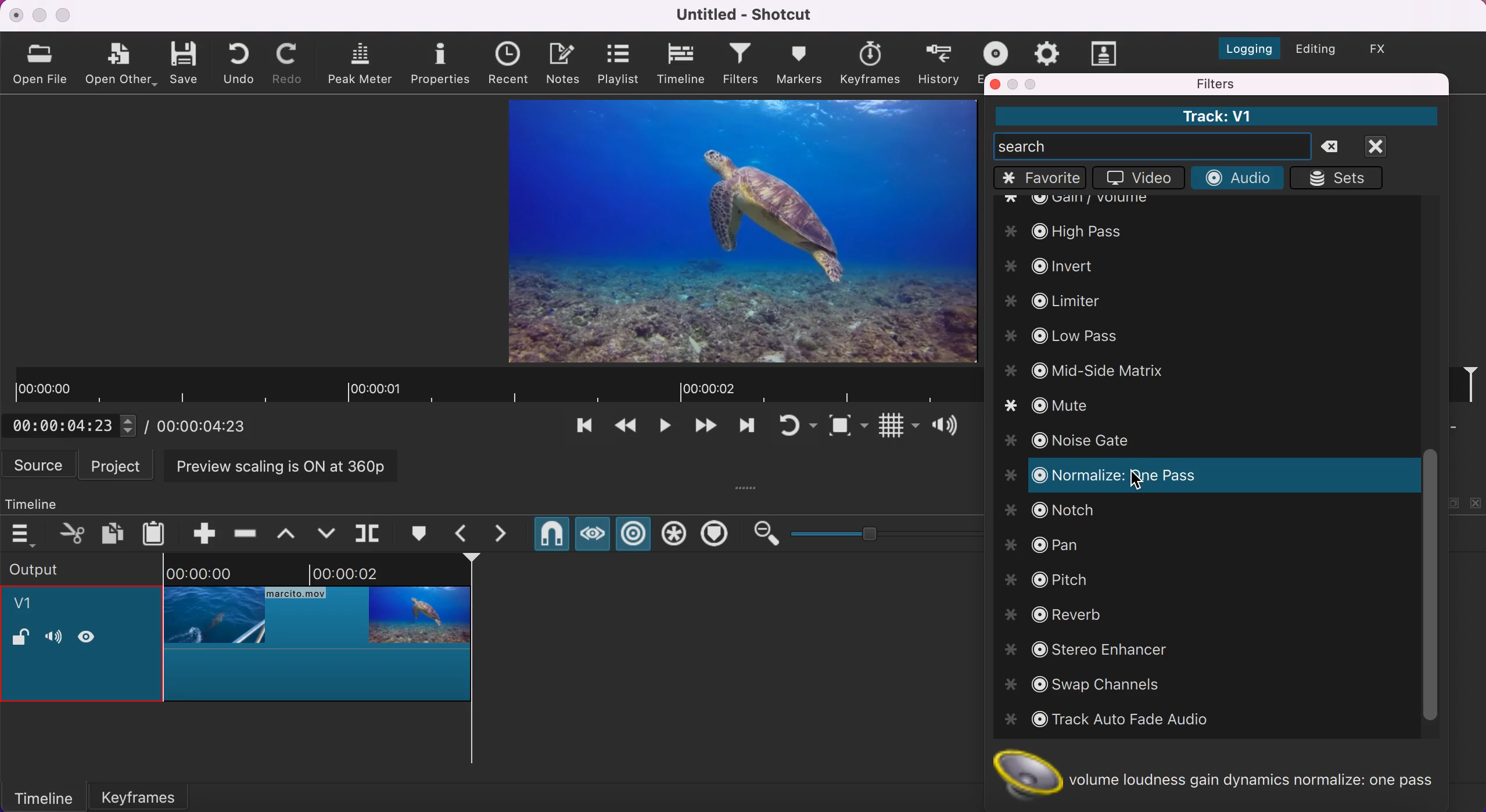 The width and height of the screenshot is (1486, 812). I want to click on favorite, so click(1040, 178).